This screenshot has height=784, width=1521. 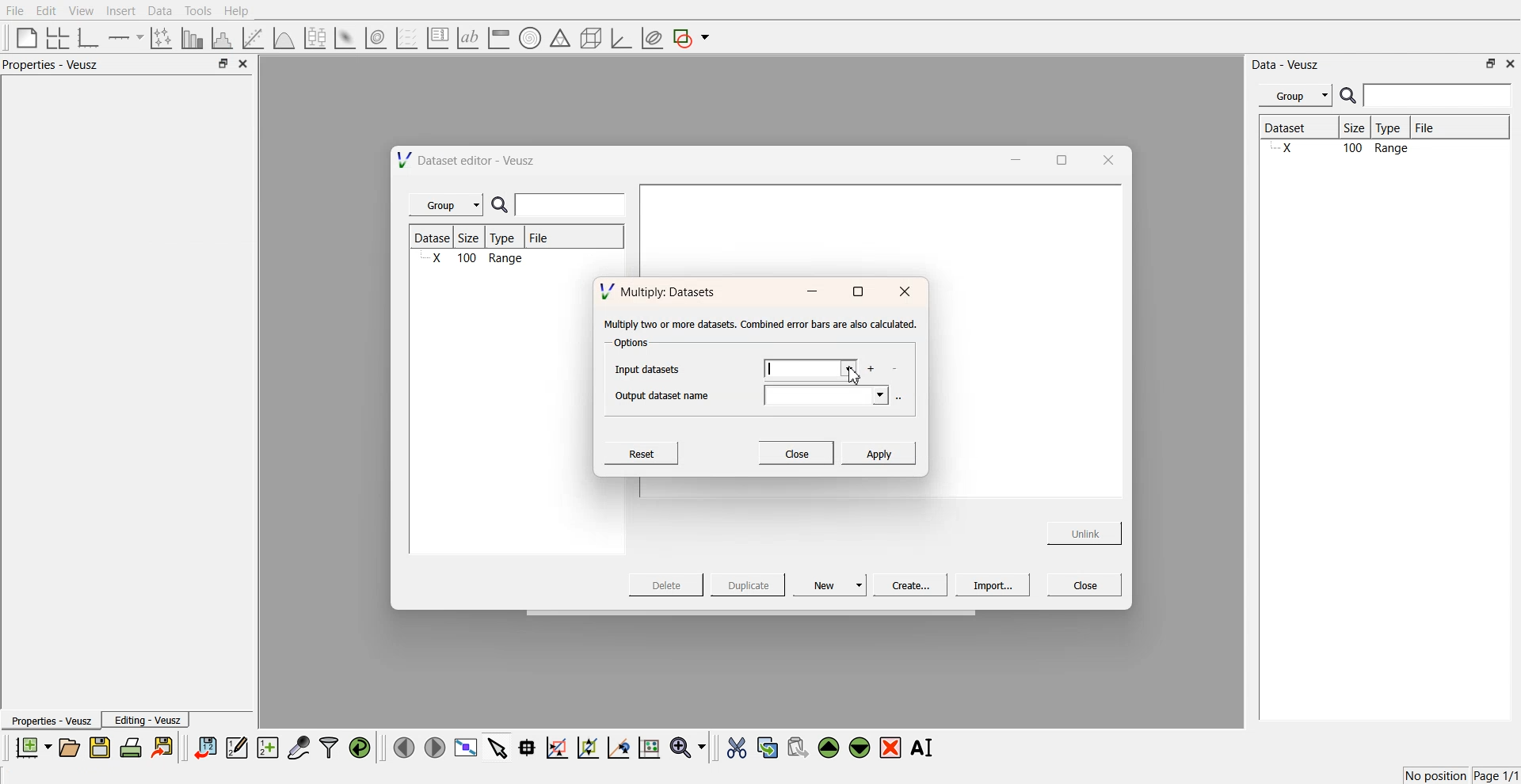 What do you see at coordinates (858, 379) in the screenshot?
I see `cursor` at bounding box center [858, 379].